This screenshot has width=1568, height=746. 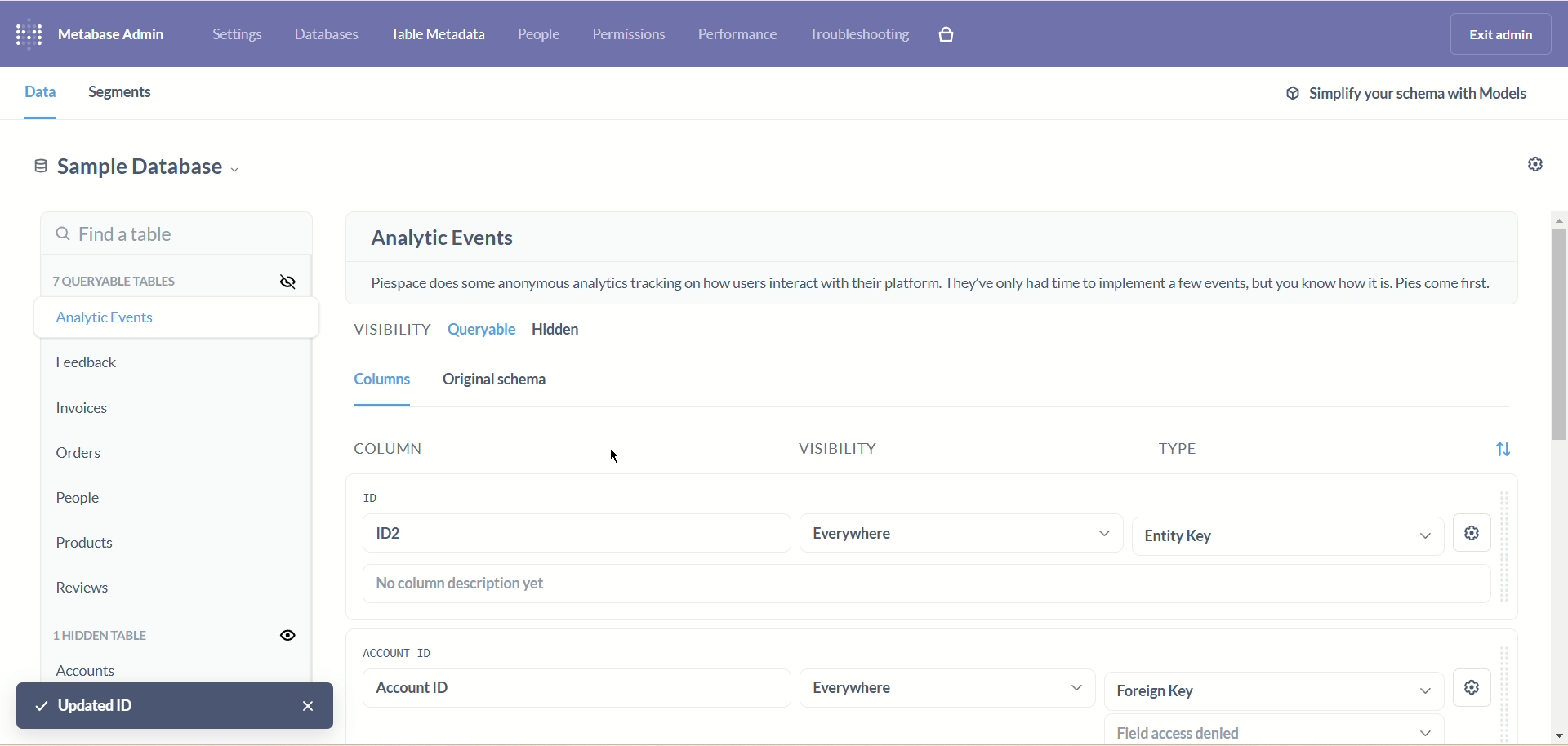 I want to click on Everywhere, so click(x=901, y=689).